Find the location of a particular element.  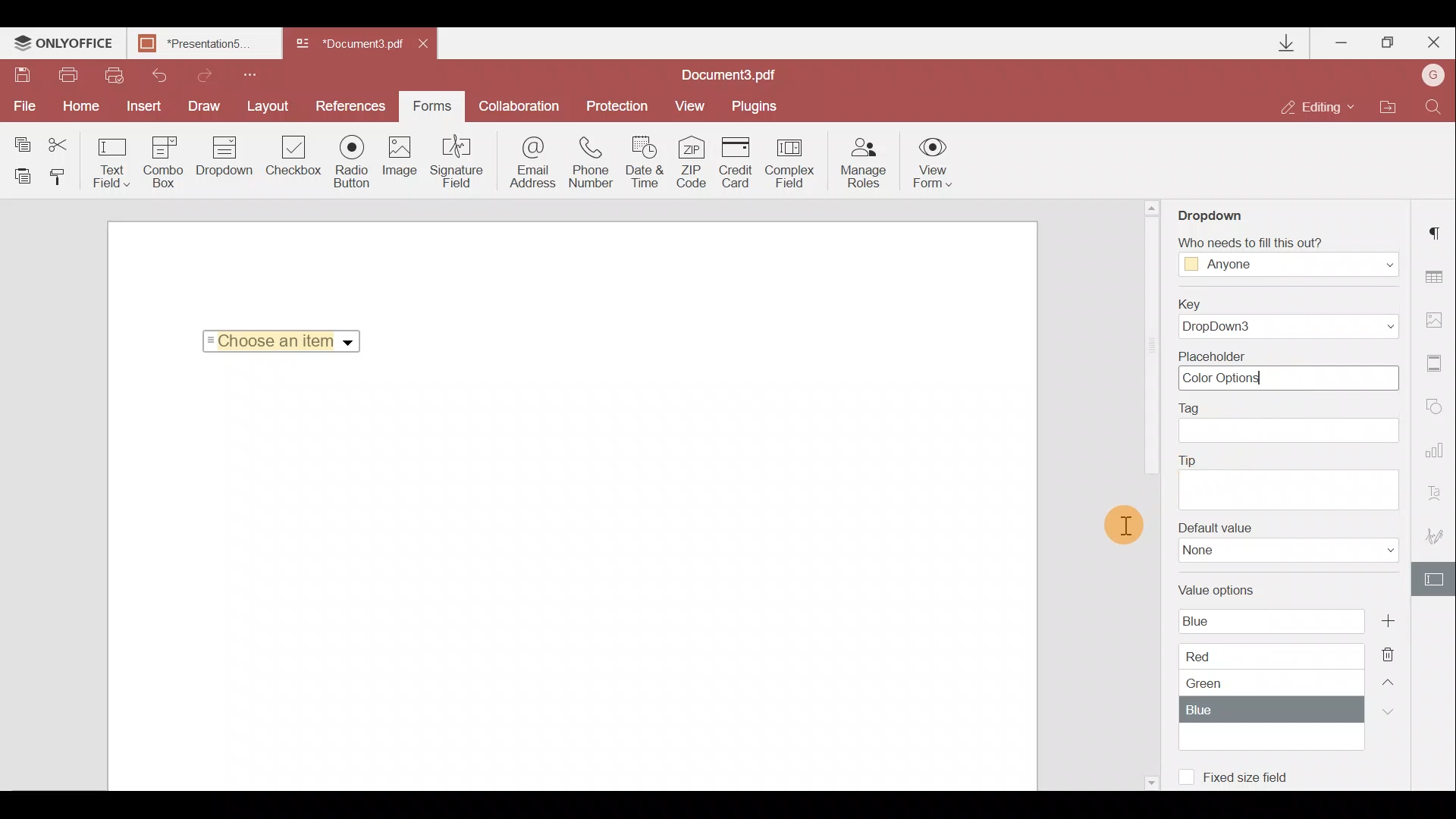

Email address is located at coordinates (527, 166).